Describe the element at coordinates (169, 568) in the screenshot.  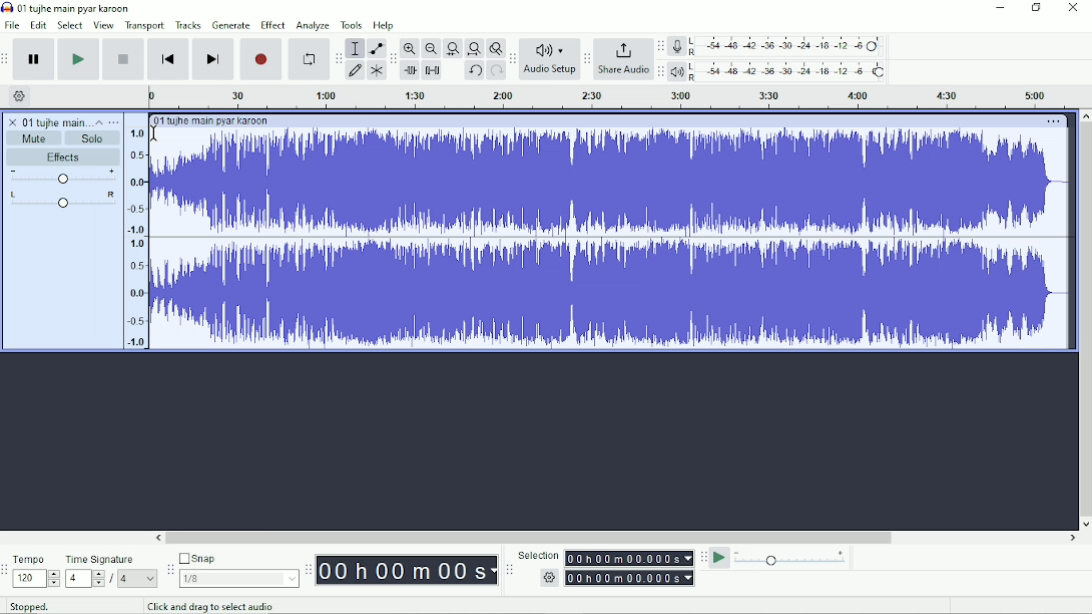
I see `Audacity snapping toolbar` at that location.